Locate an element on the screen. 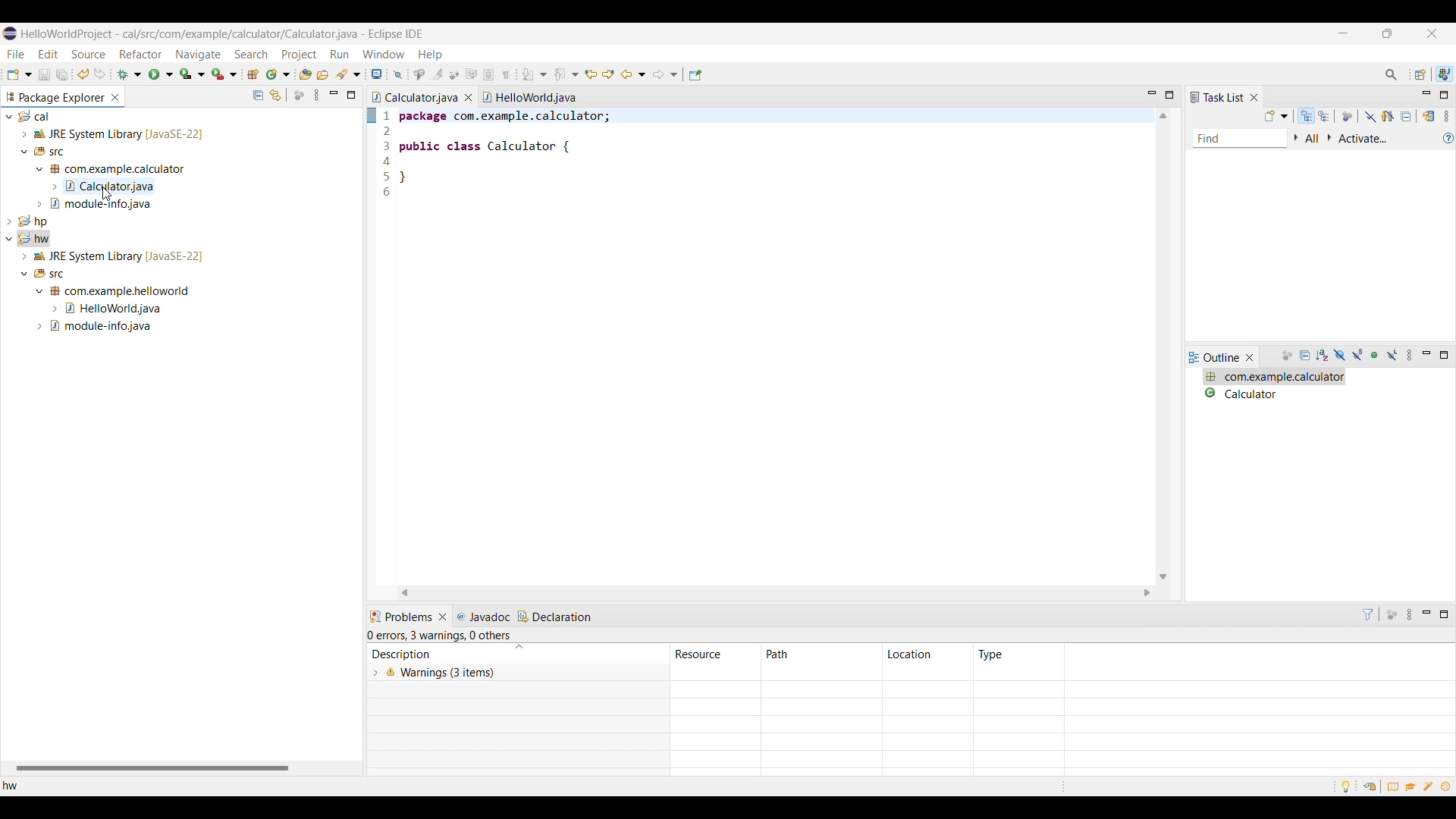 This screenshot has height=819, width=1456. cal project is located at coordinates (179, 160).